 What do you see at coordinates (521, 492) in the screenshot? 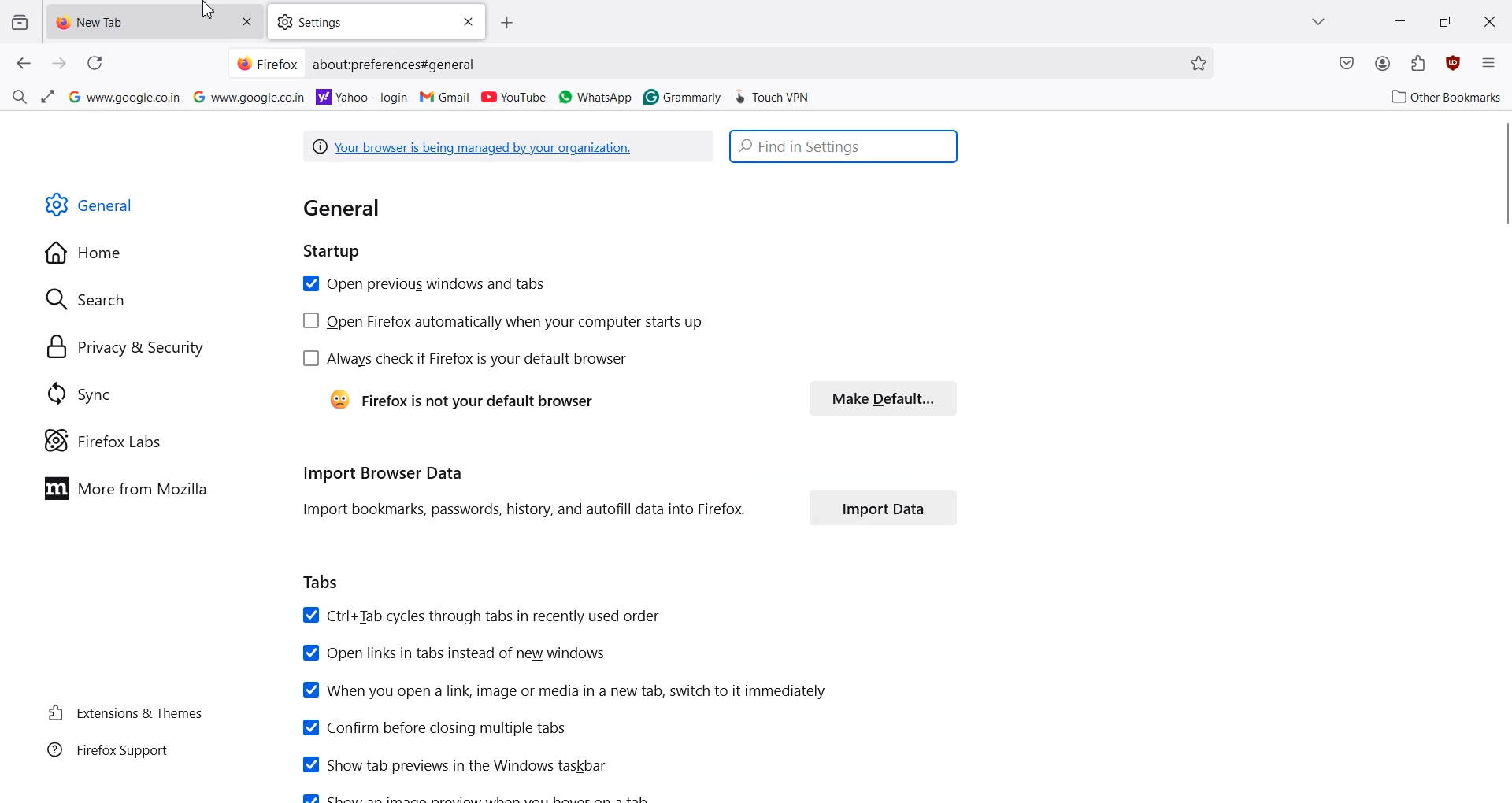
I see `Import Browser Data` at bounding box center [521, 492].